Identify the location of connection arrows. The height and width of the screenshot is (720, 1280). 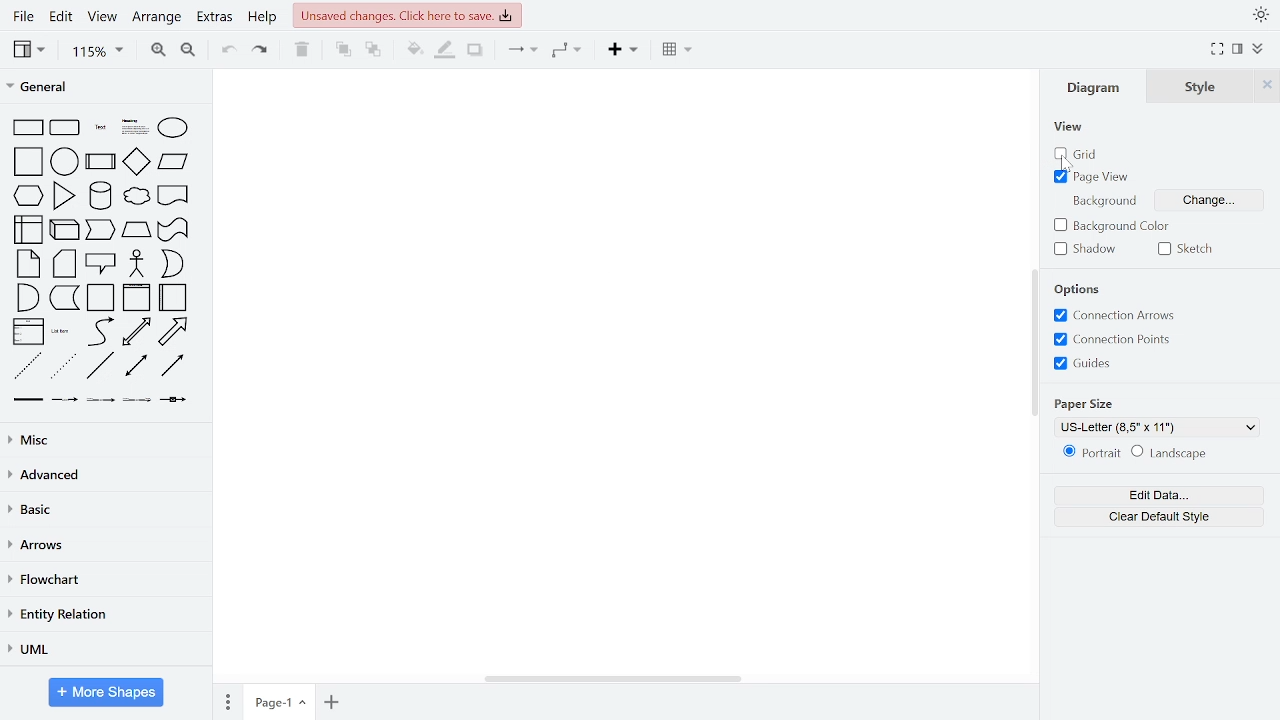
(1114, 316).